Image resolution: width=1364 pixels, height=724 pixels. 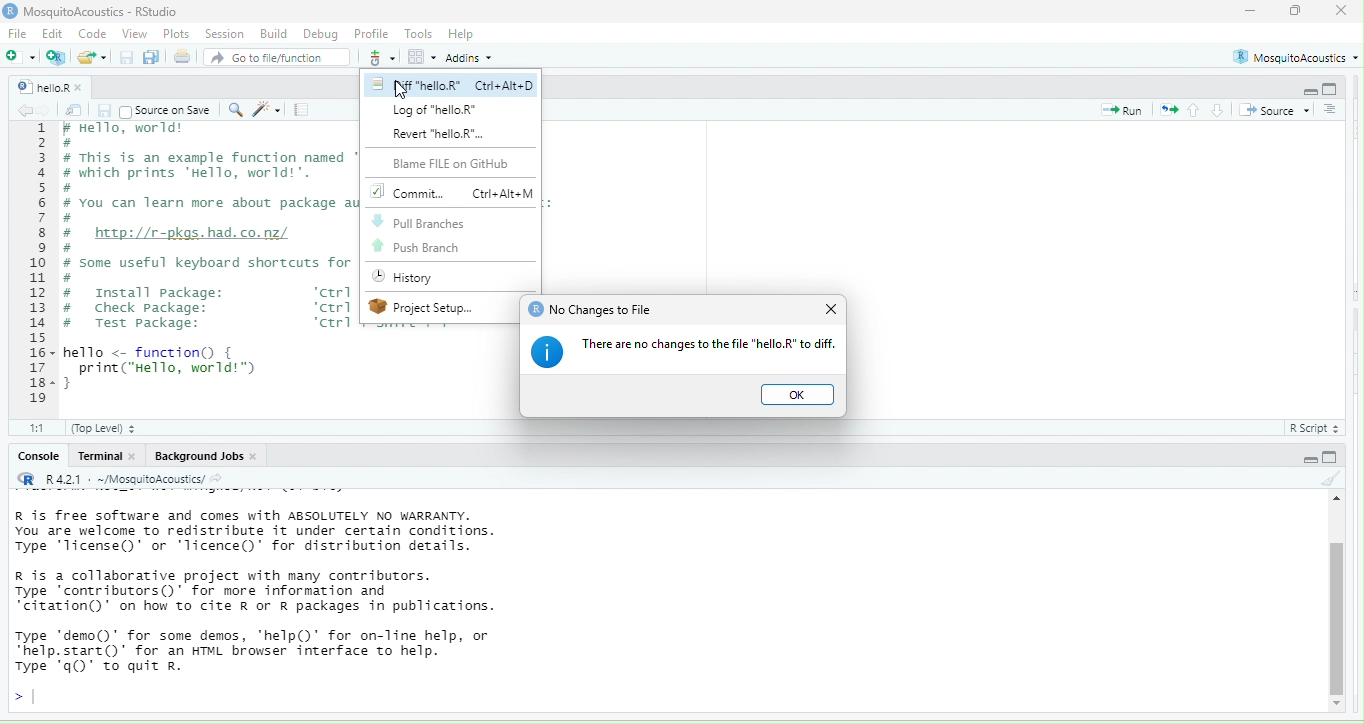 I want to click on  helloR, so click(x=43, y=86).